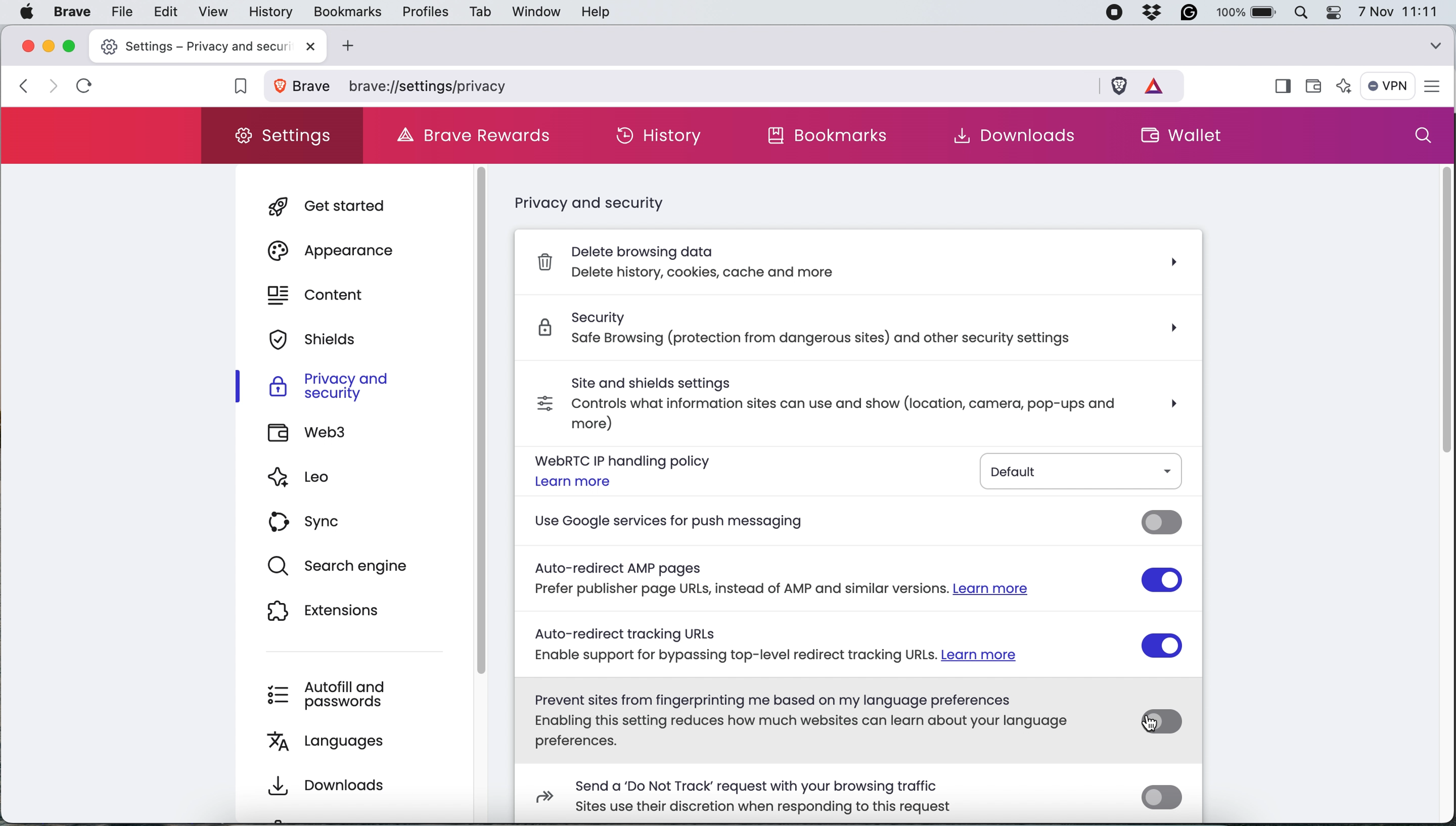 The width and height of the screenshot is (1456, 826). What do you see at coordinates (660, 136) in the screenshot?
I see `history` at bounding box center [660, 136].